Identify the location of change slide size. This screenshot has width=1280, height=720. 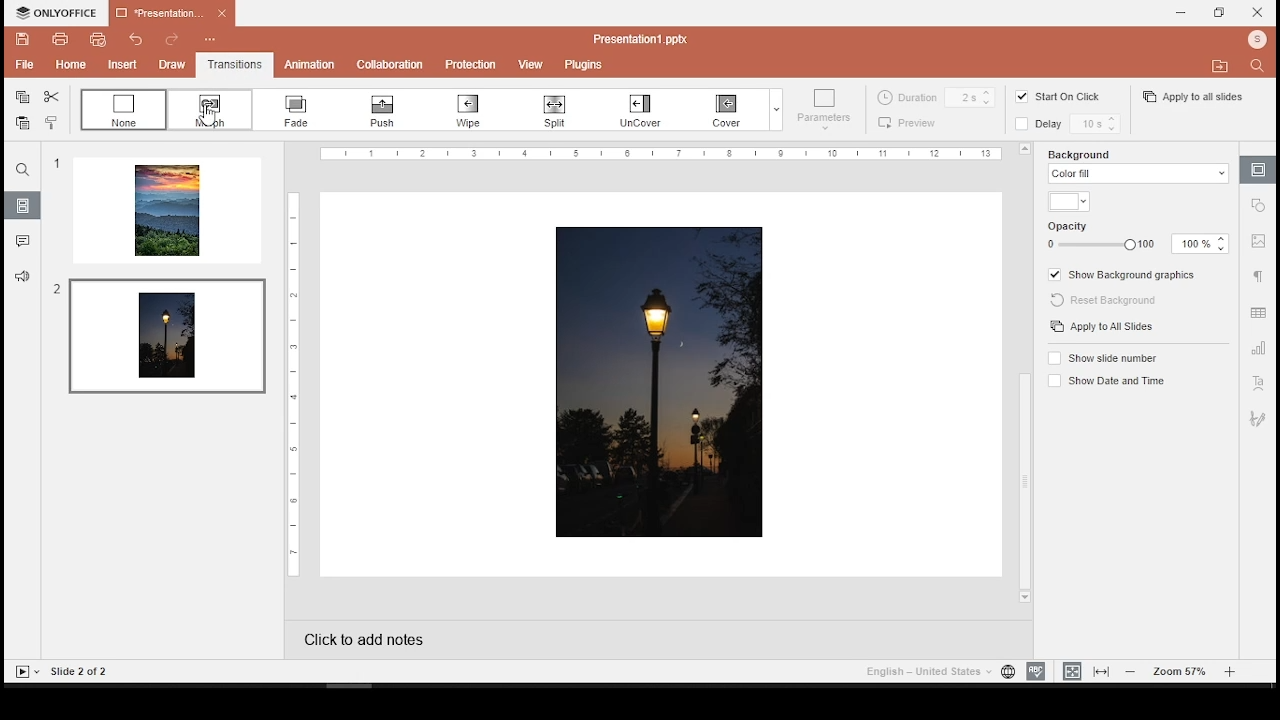
(821, 112).